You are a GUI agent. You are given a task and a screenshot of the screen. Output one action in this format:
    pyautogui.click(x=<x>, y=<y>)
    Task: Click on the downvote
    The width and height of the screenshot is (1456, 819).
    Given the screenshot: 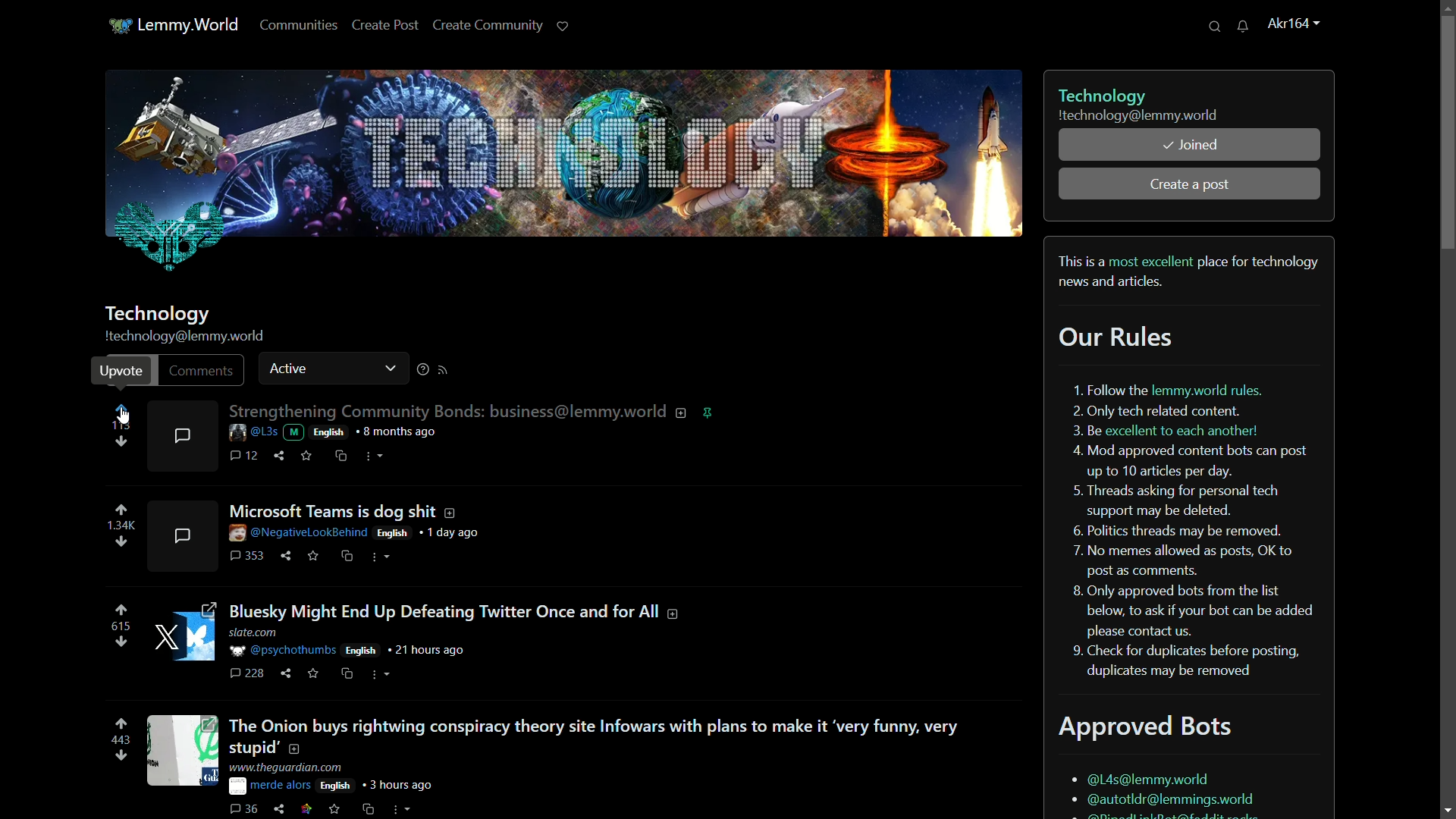 What is the action you would take?
    pyautogui.click(x=121, y=441)
    